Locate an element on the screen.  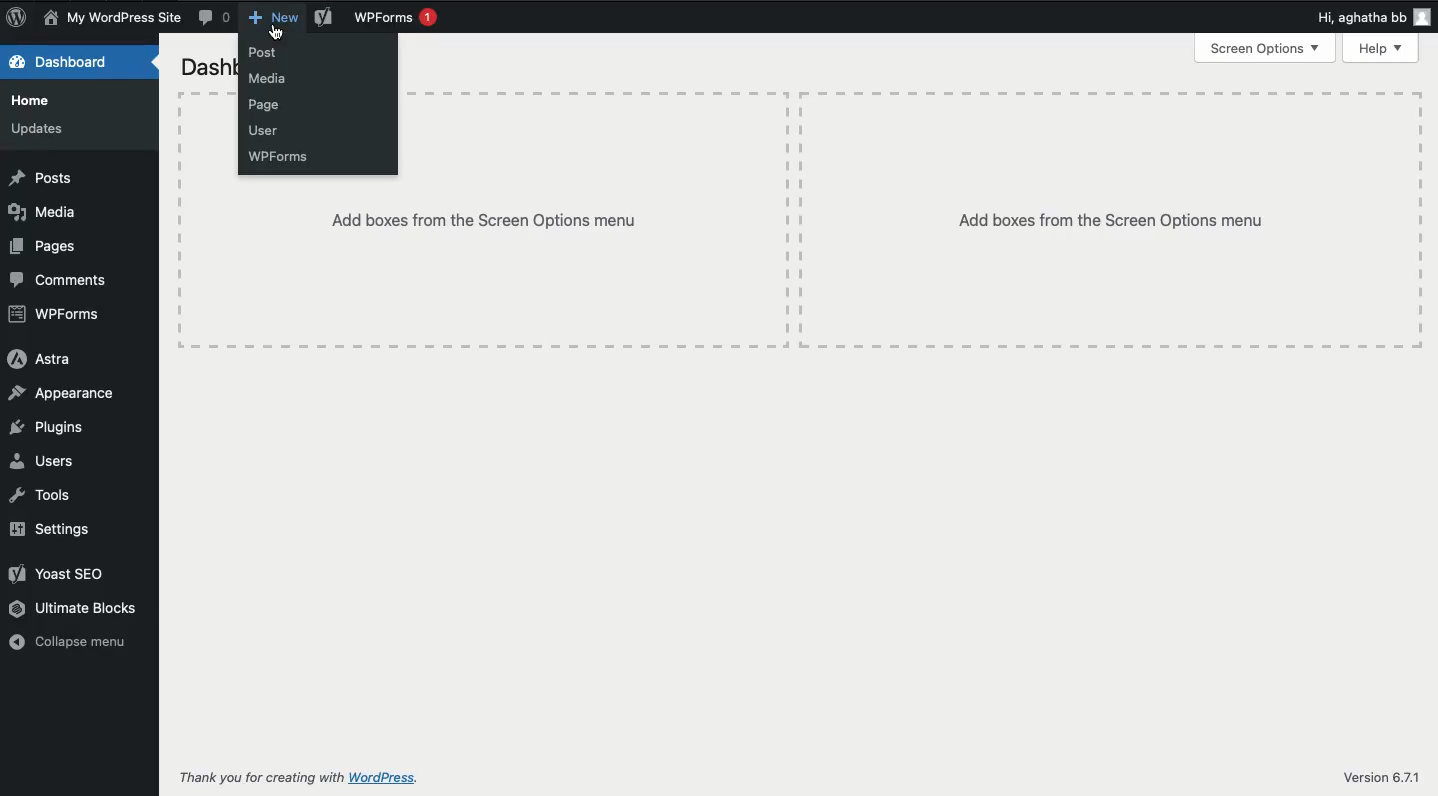
Pages is located at coordinates (45, 246).